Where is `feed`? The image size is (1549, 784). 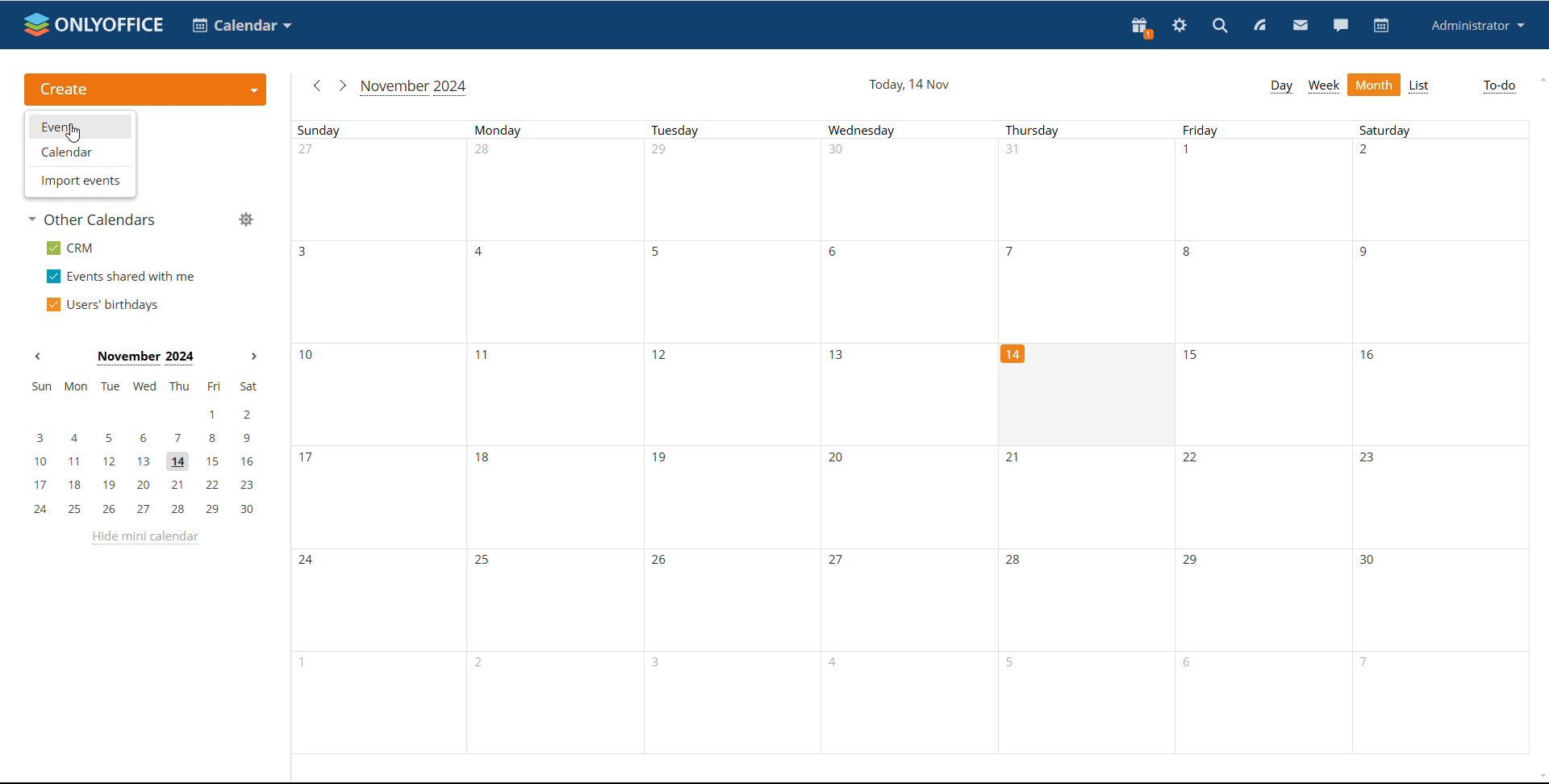 feed is located at coordinates (1259, 25).